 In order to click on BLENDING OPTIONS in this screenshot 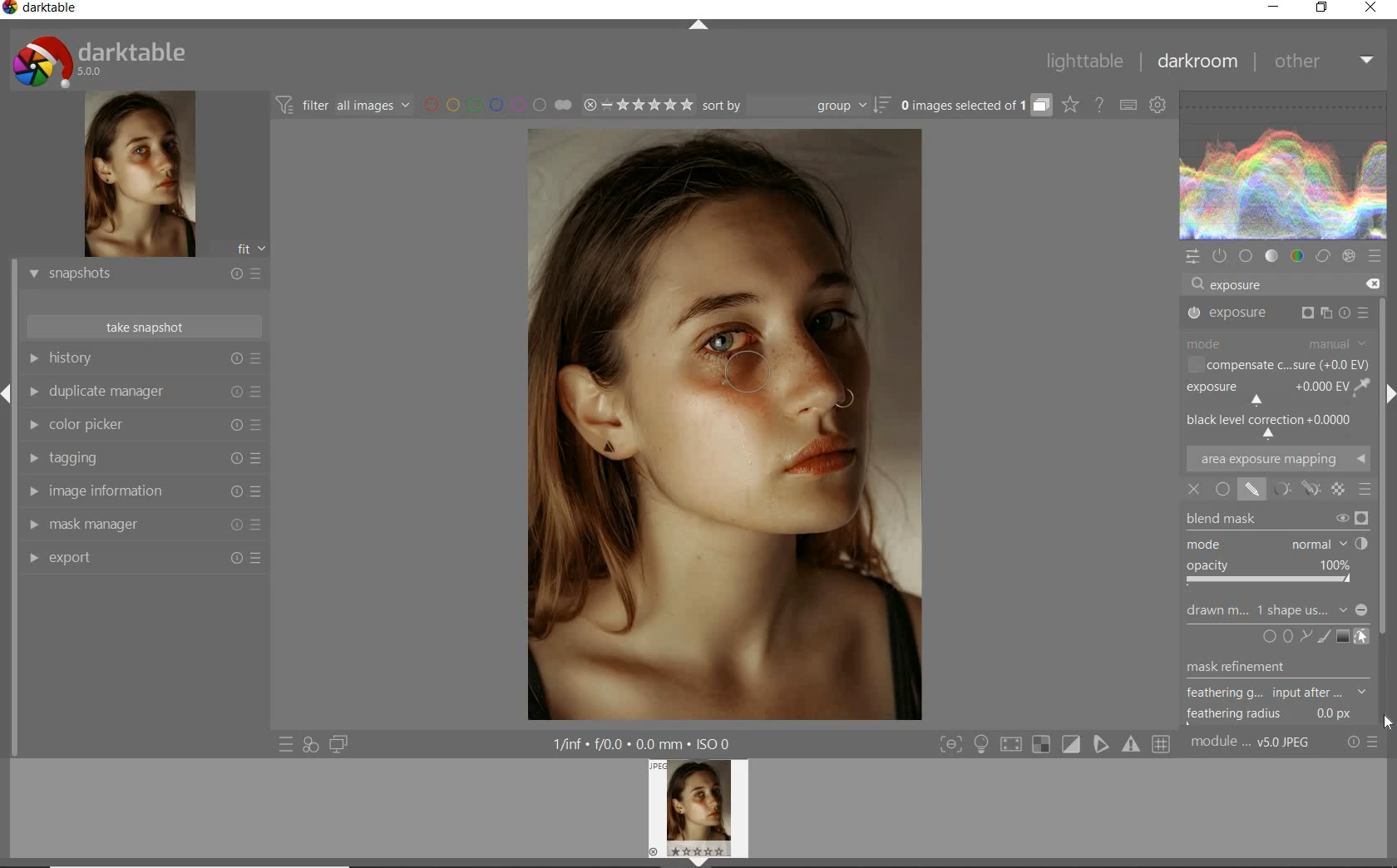, I will do `click(1364, 491)`.